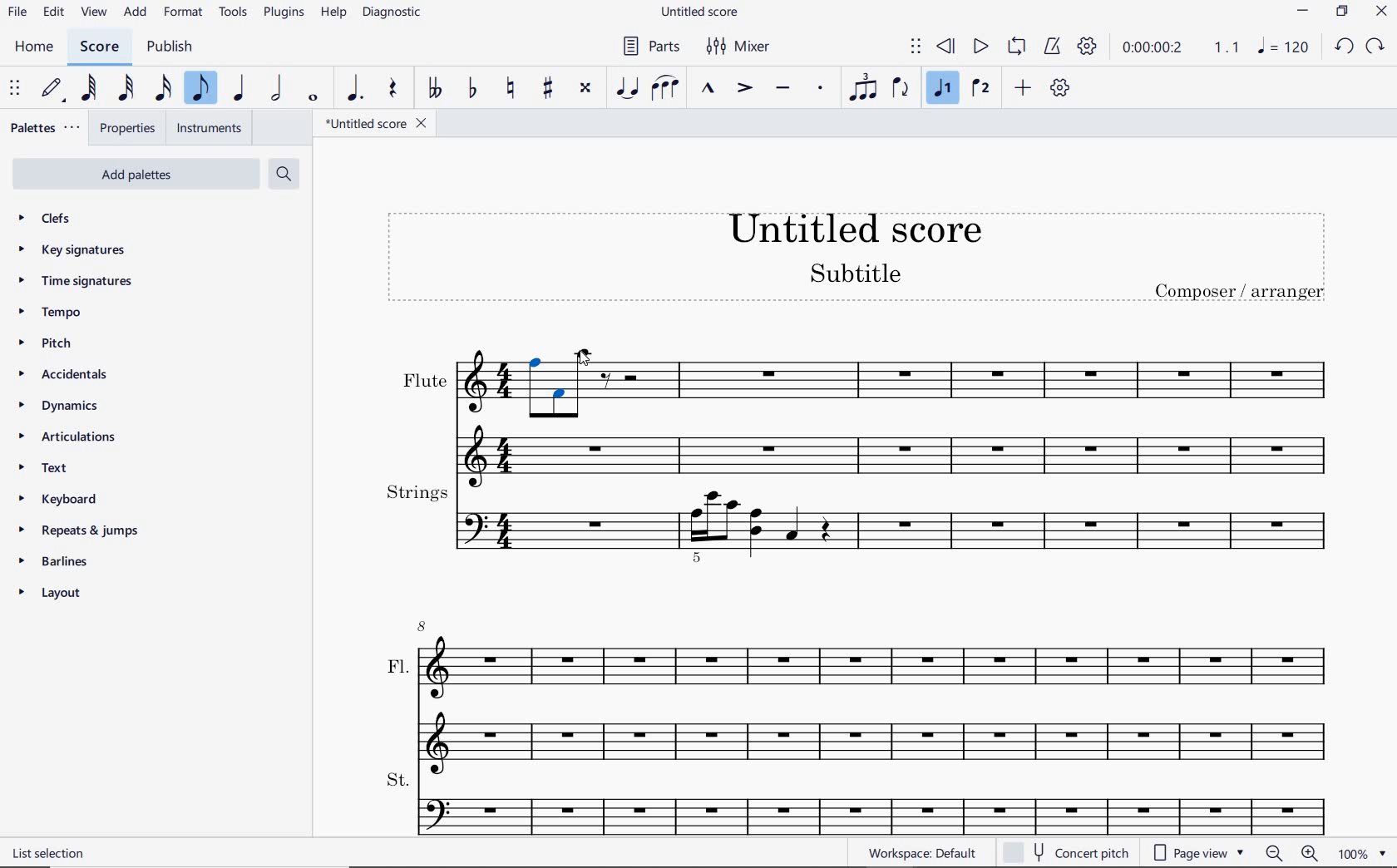 The height and width of the screenshot is (868, 1397). I want to click on STACCATO, so click(822, 89).